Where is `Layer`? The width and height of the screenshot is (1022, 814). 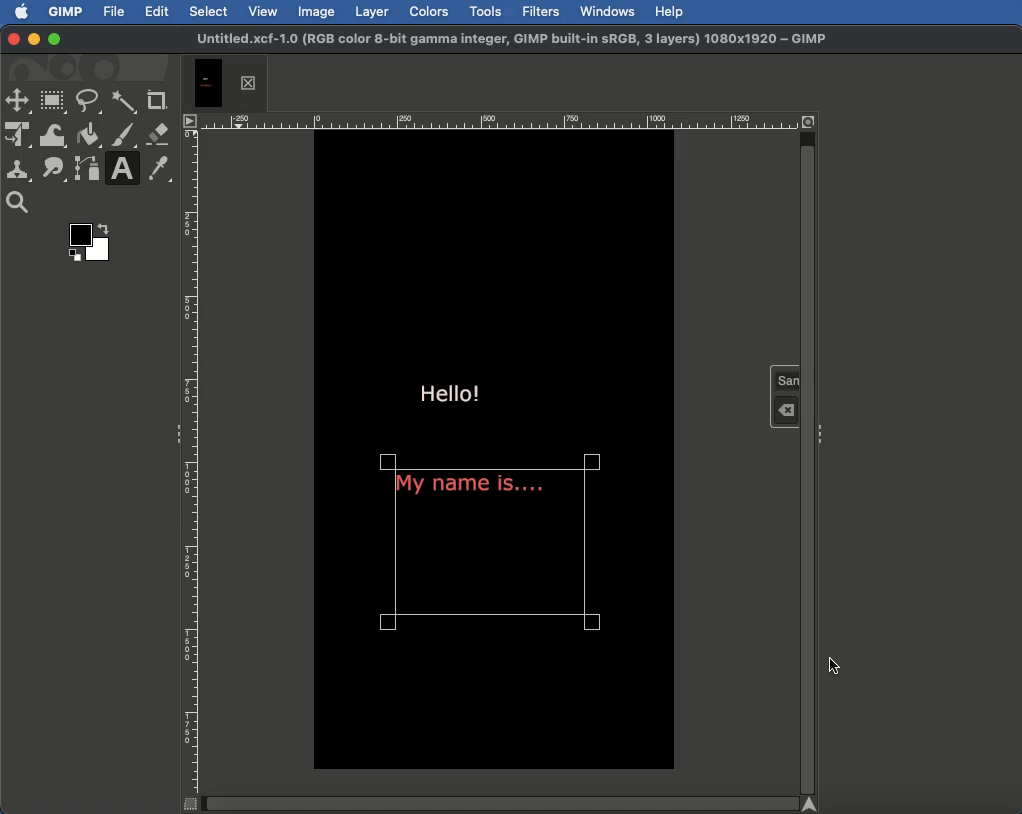 Layer is located at coordinates (373, 10).